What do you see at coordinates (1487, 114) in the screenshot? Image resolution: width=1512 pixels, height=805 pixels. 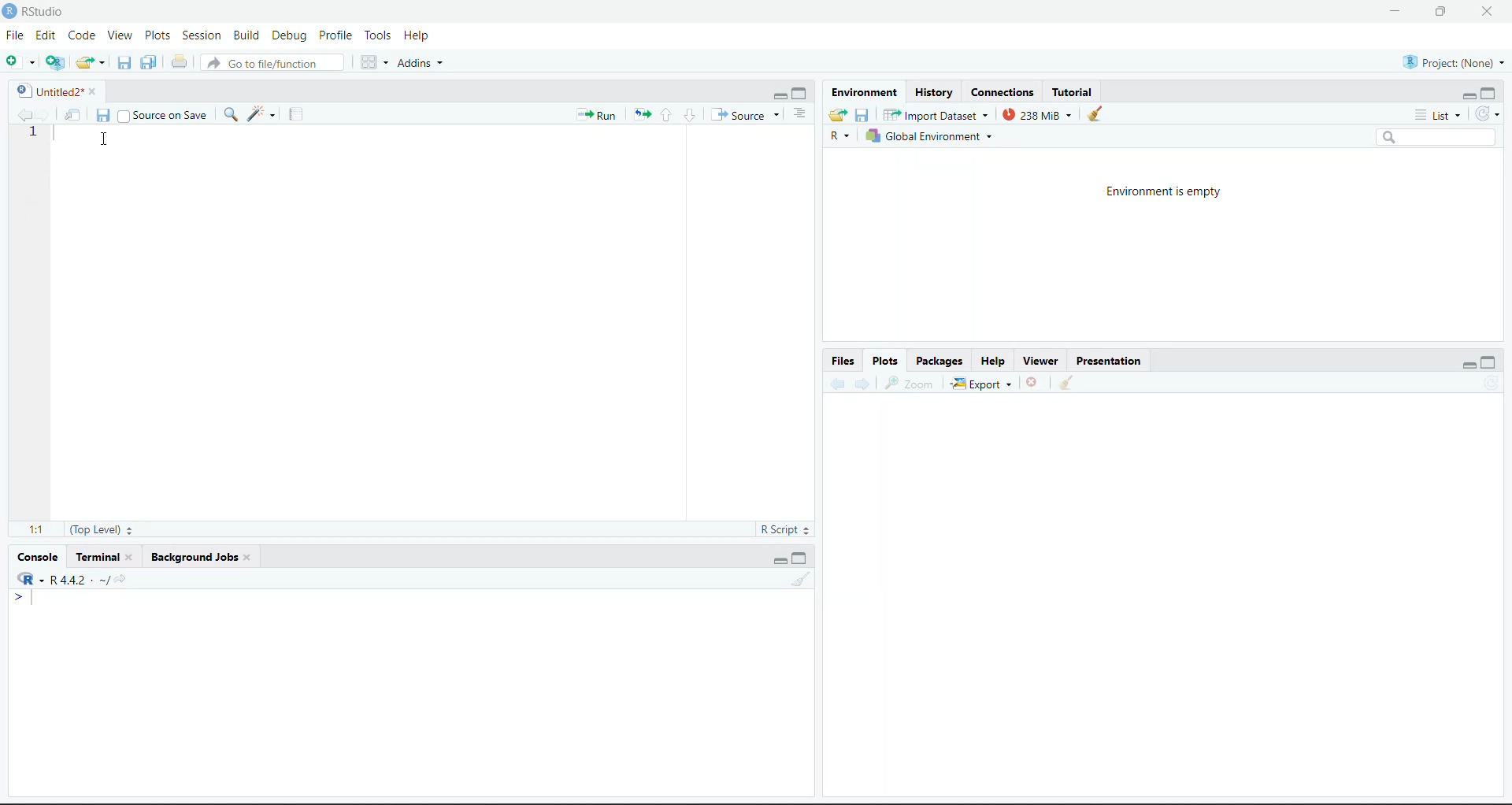 I see `refresh` at bounding box center [1487, 114].